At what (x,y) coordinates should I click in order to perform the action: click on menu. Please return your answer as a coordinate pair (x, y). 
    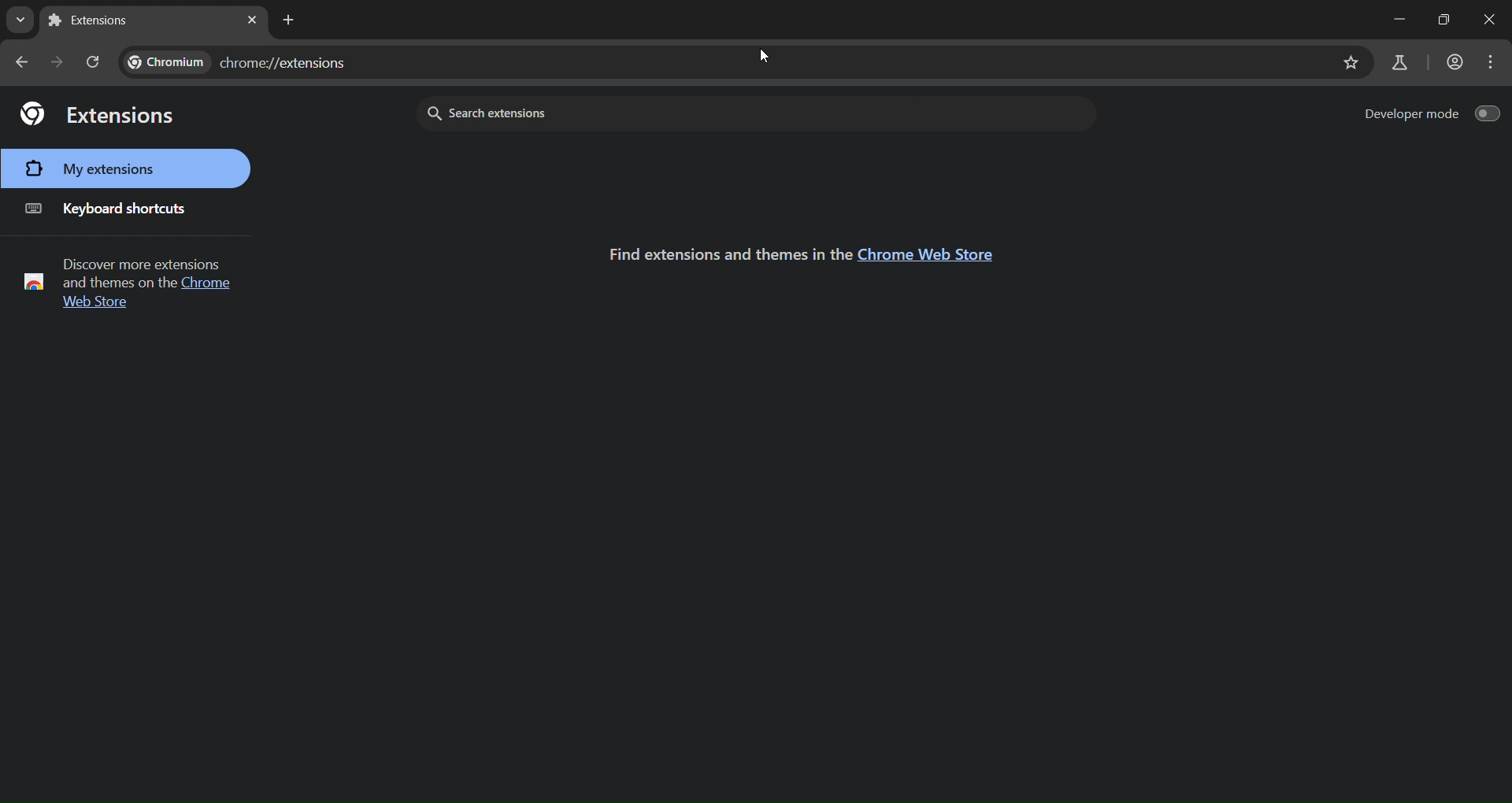
    Looking at the image, I should click on (1489, 62).